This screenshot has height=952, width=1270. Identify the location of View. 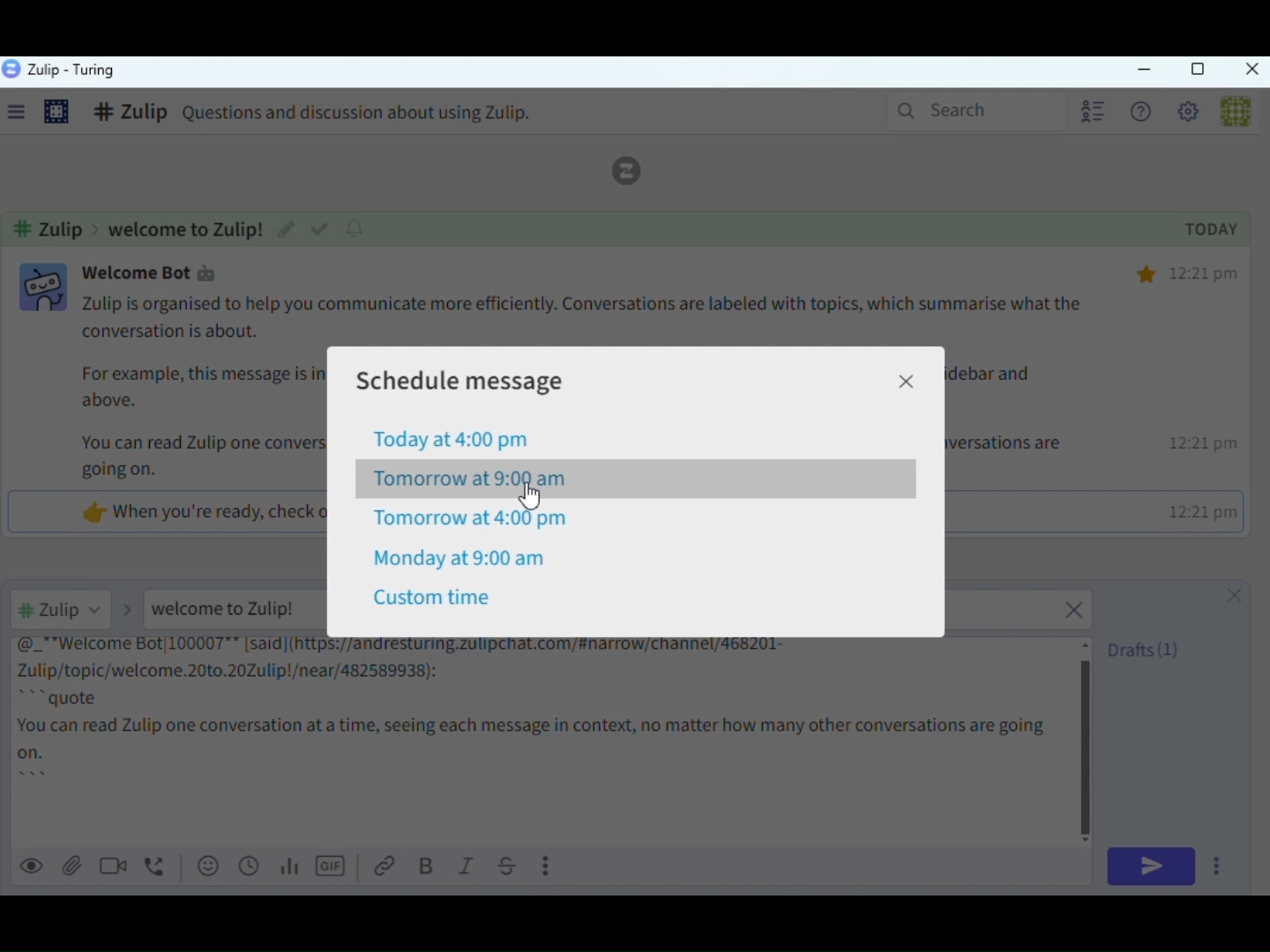
(34, 865).